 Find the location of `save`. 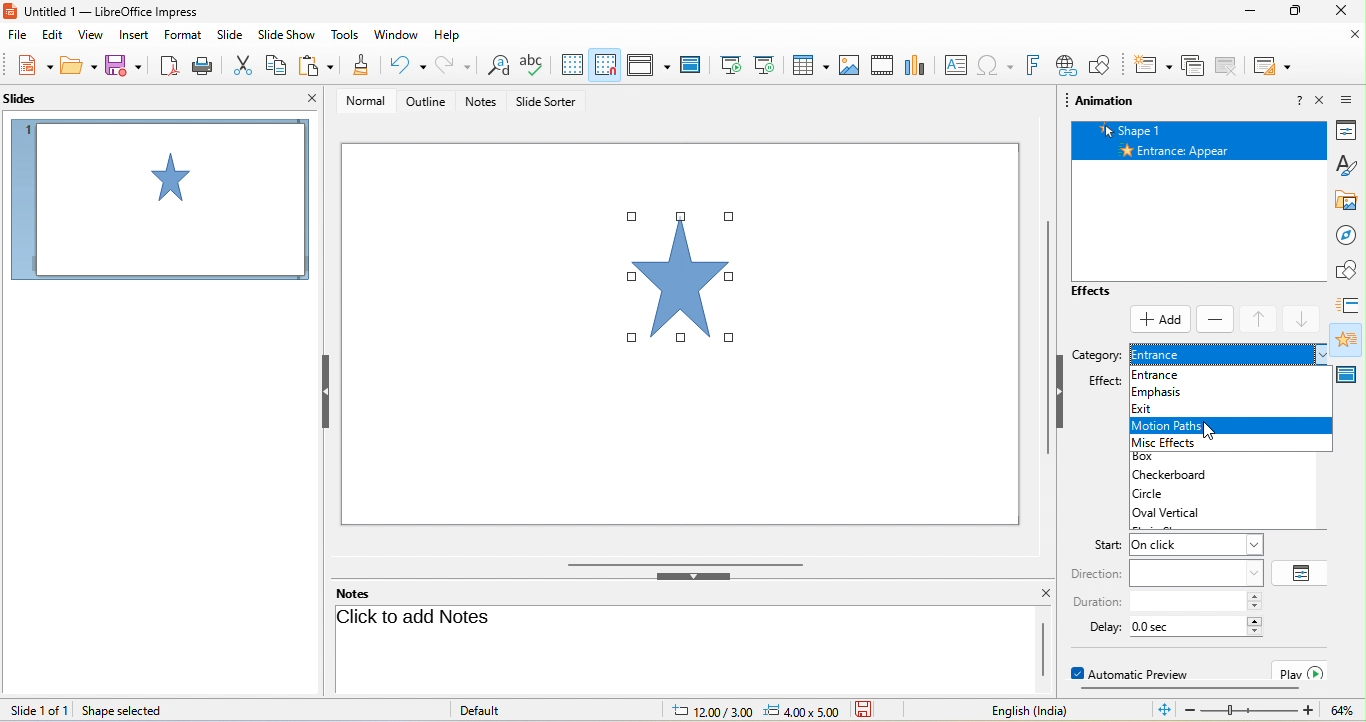

save is located at coordinates (123, 66).